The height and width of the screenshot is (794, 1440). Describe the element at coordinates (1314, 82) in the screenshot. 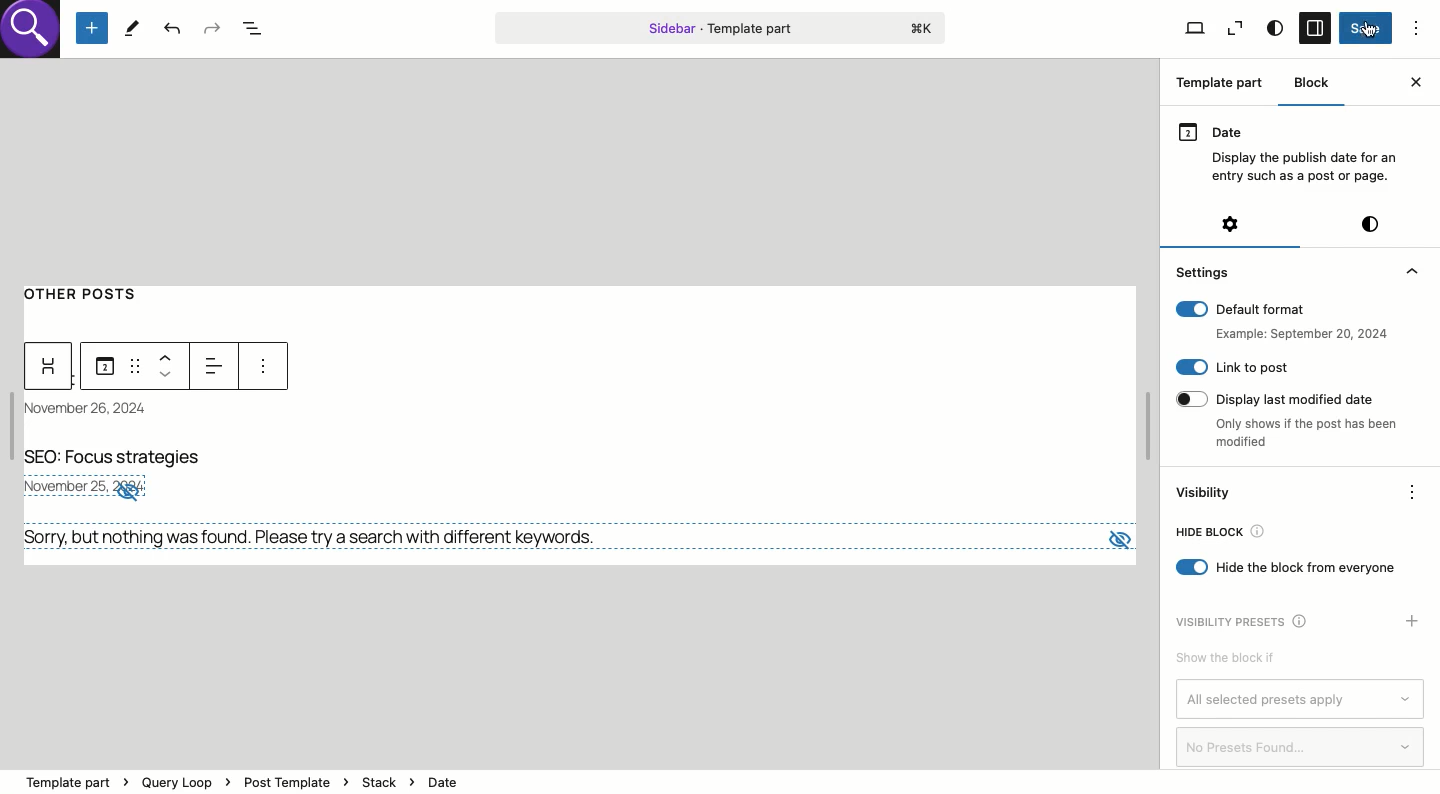

I see `Block ` at that location.